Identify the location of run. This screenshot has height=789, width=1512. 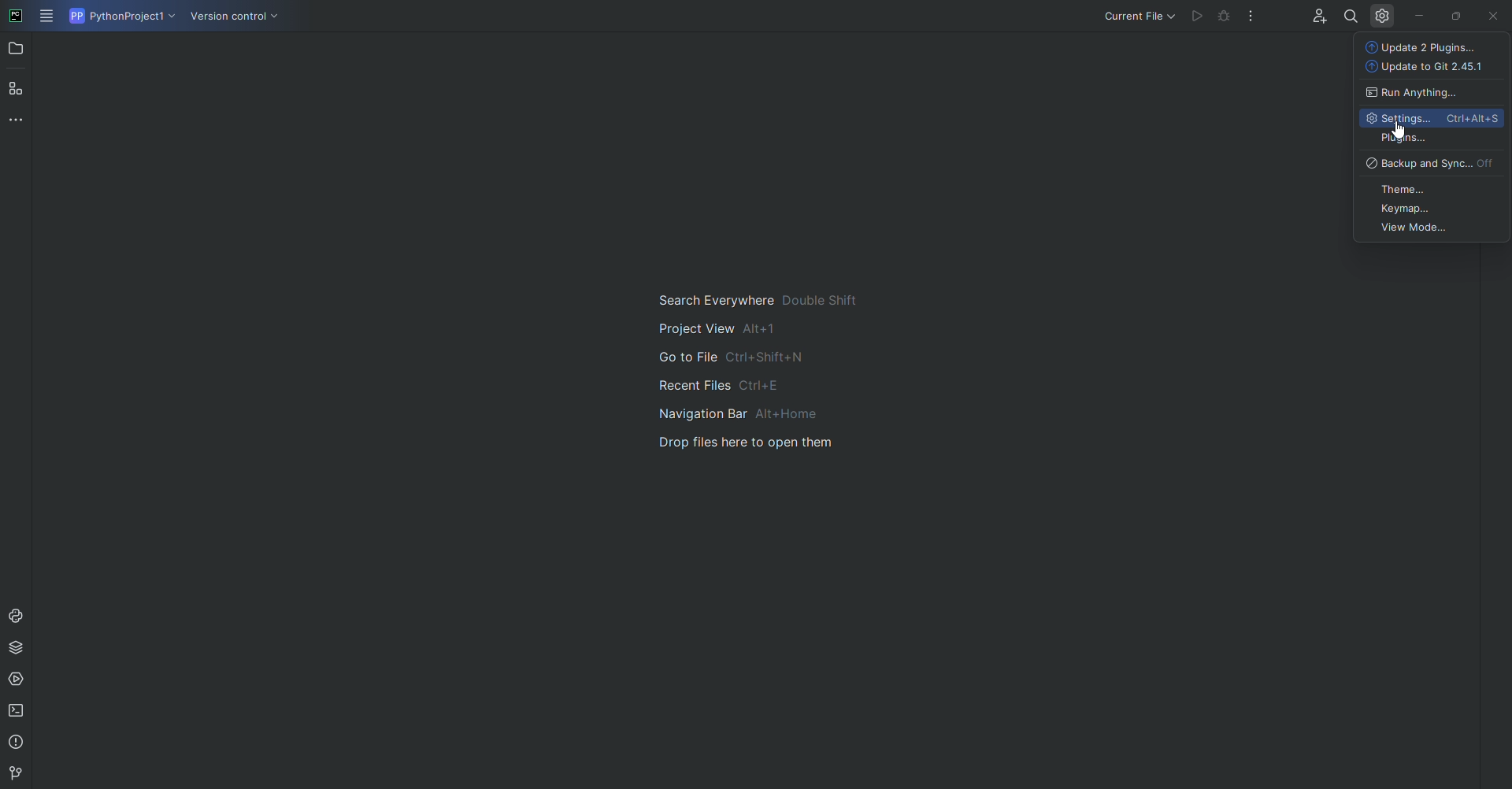
(1197, 18).